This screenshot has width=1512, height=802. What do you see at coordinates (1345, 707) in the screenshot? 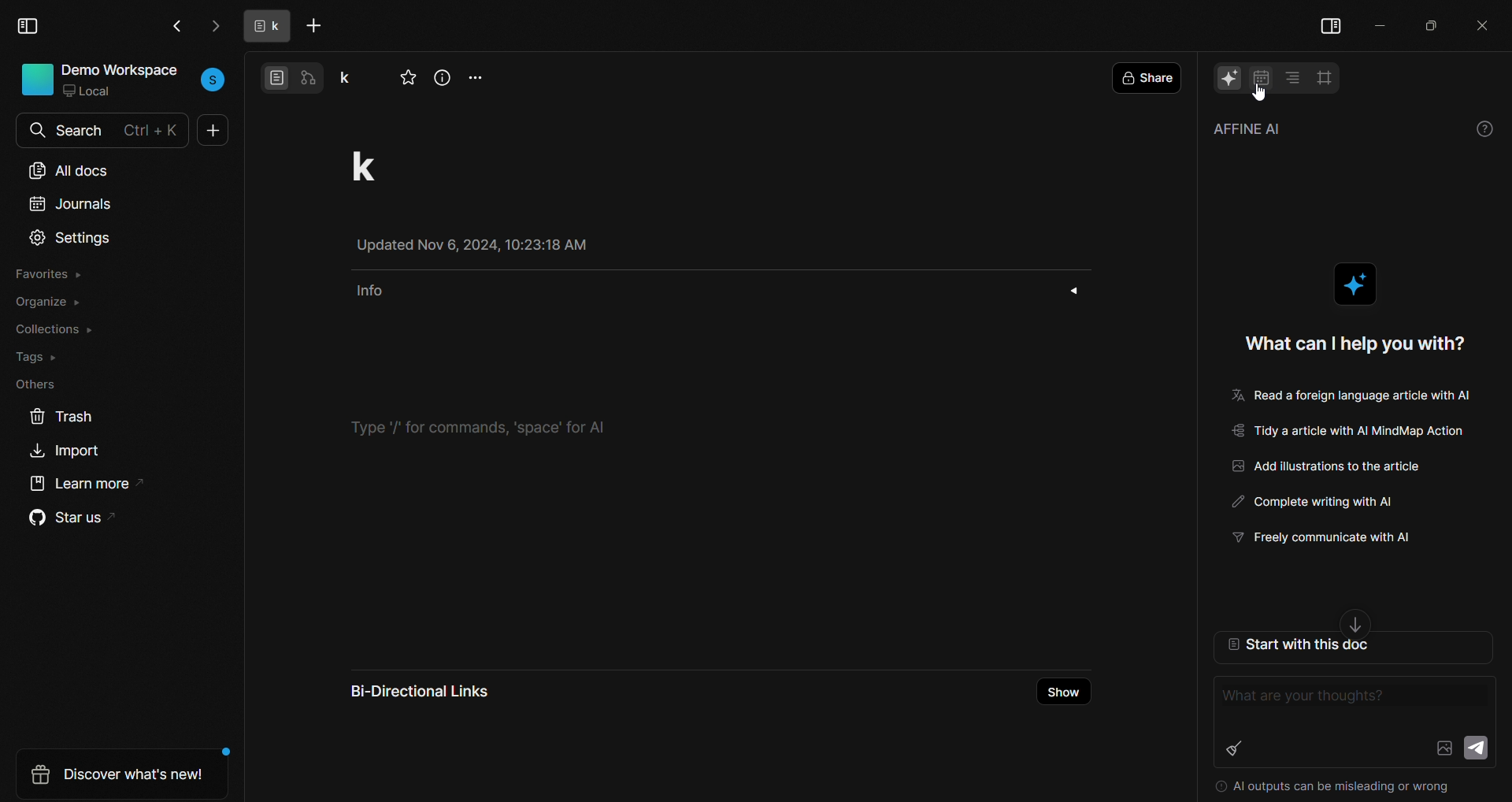
I see `writing area` at bounding box center [1345, 707].